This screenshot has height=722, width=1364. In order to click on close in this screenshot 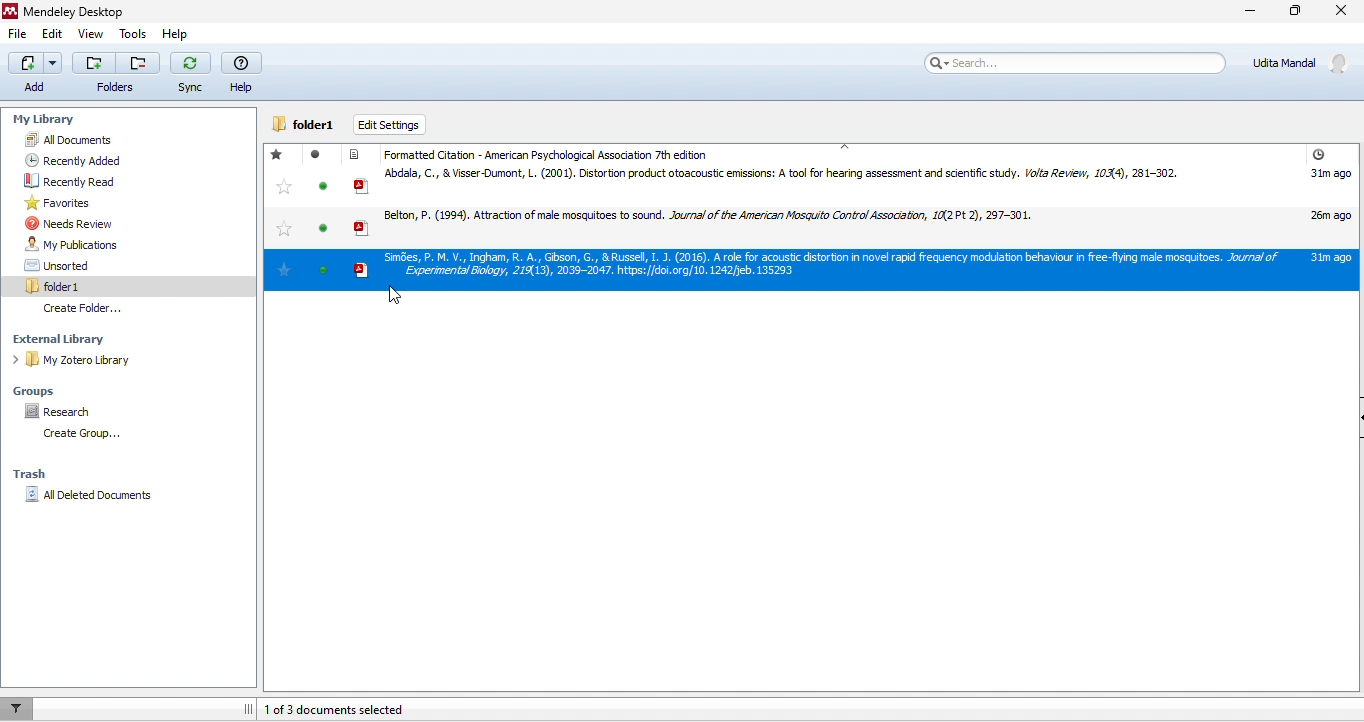, I will do `click(1344, 13)`.